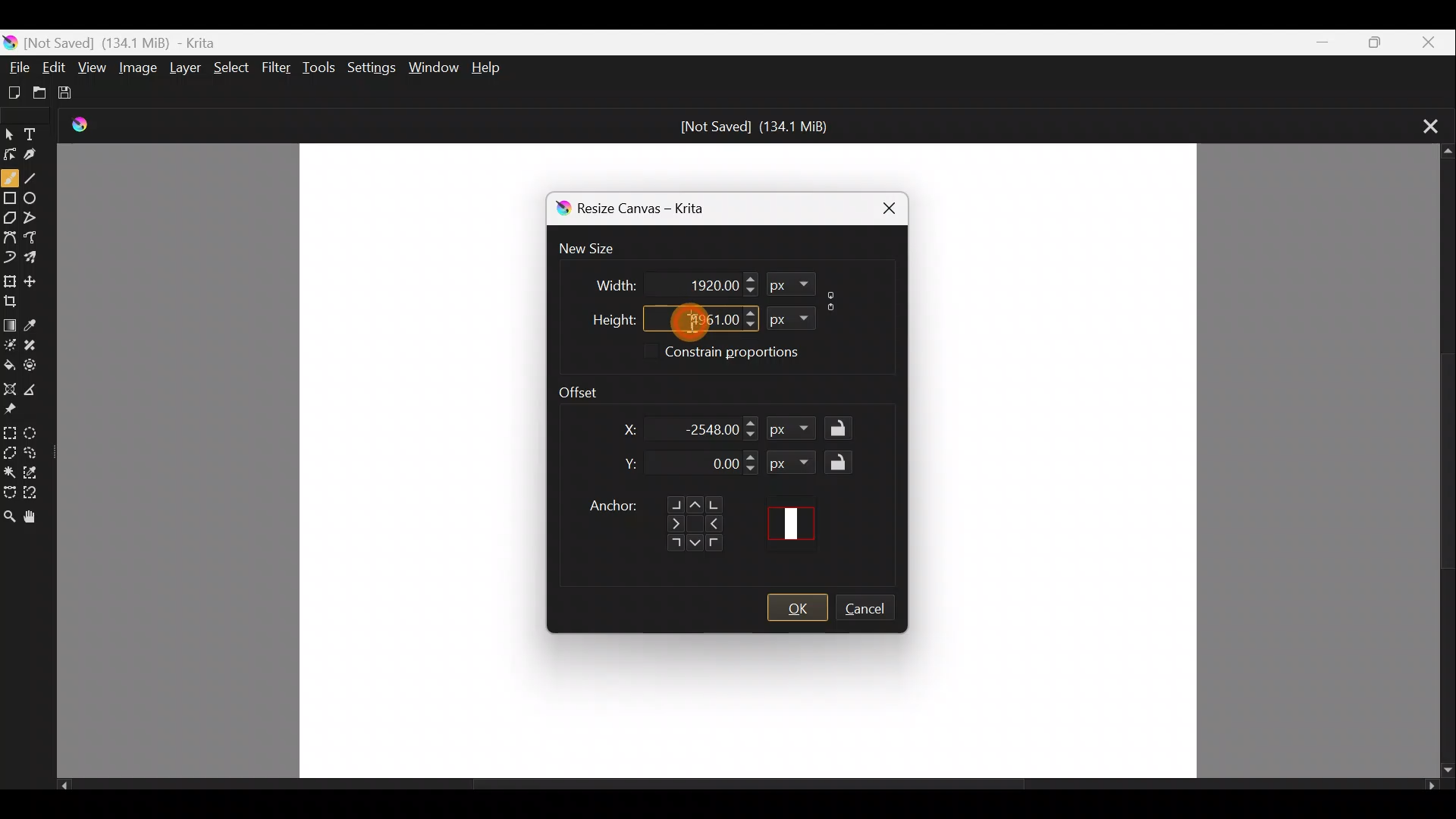 The width and height of the screenshot is (1456, 819). Describe the element at coordinates (10, 281) in the screenshot. I see `Transform a layer/selection` at that location.